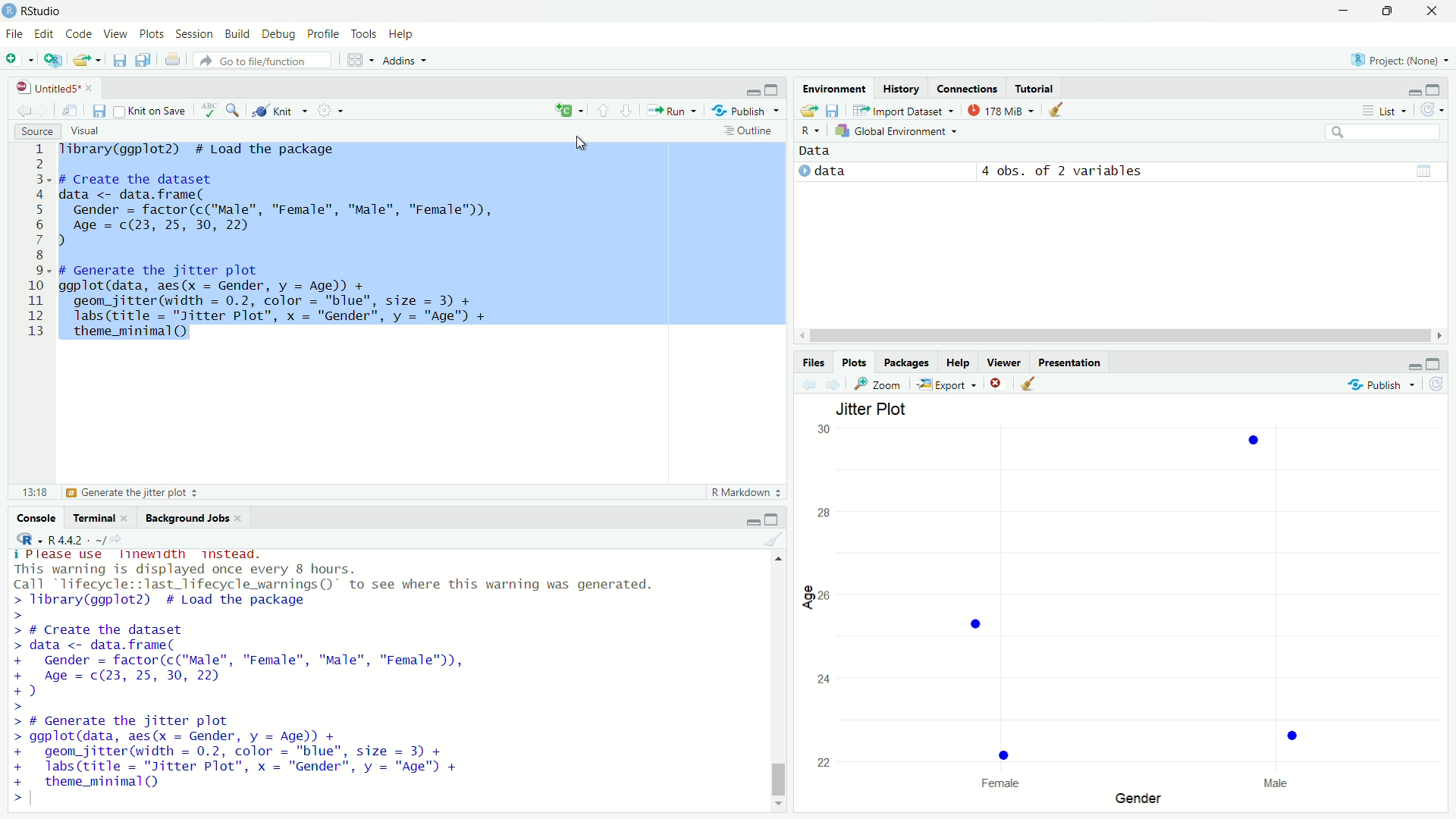 The width and height of the screenshot is (1456, 819). Describe the element at coordinates (13, 804) in the screenshot. I see `prompt cursor` at that location.